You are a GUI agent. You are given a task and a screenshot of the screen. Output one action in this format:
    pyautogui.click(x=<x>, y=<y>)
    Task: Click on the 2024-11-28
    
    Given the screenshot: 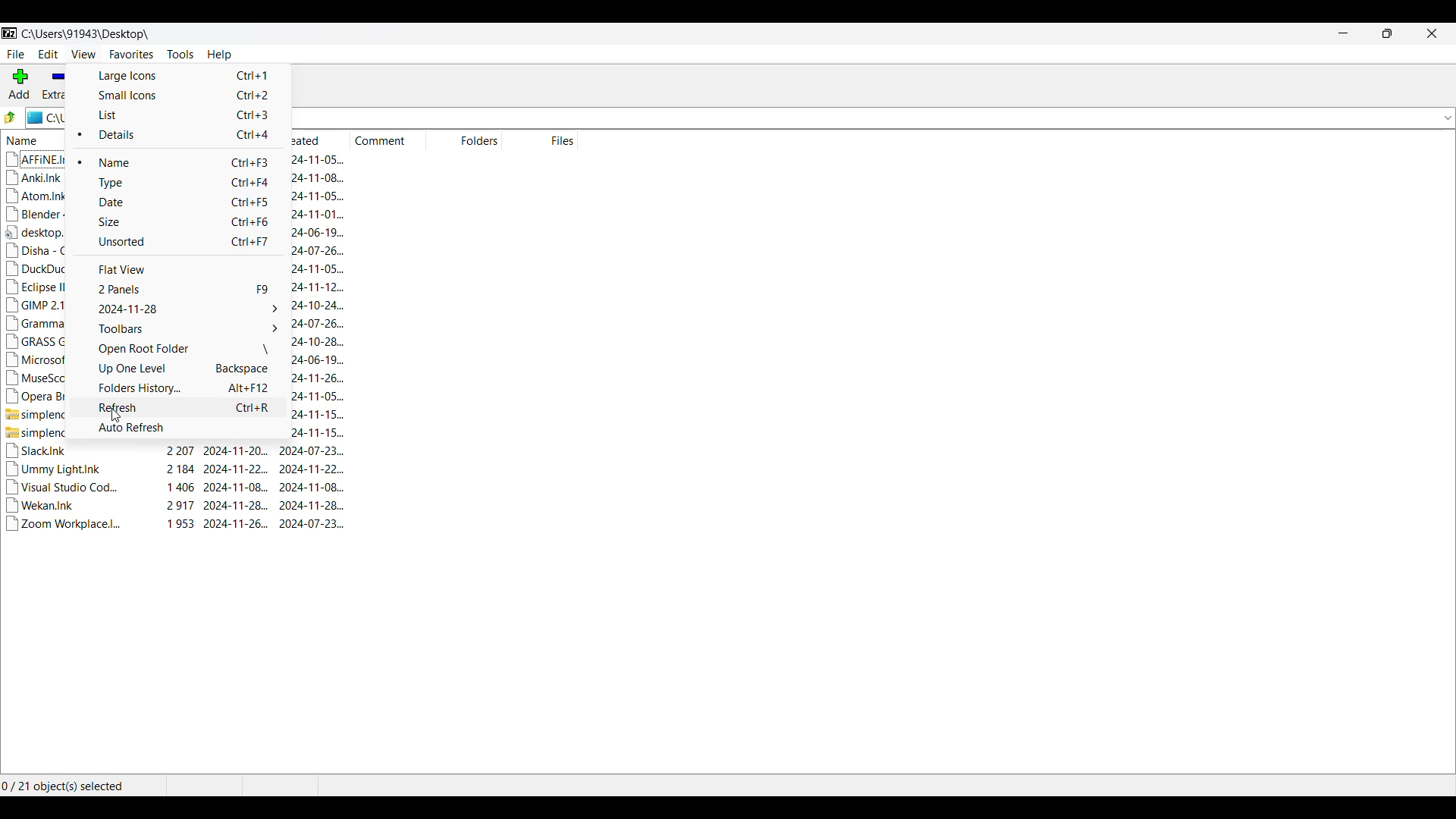 What is the action you would take?
    pyautogui.click(x=176, y=309)
    